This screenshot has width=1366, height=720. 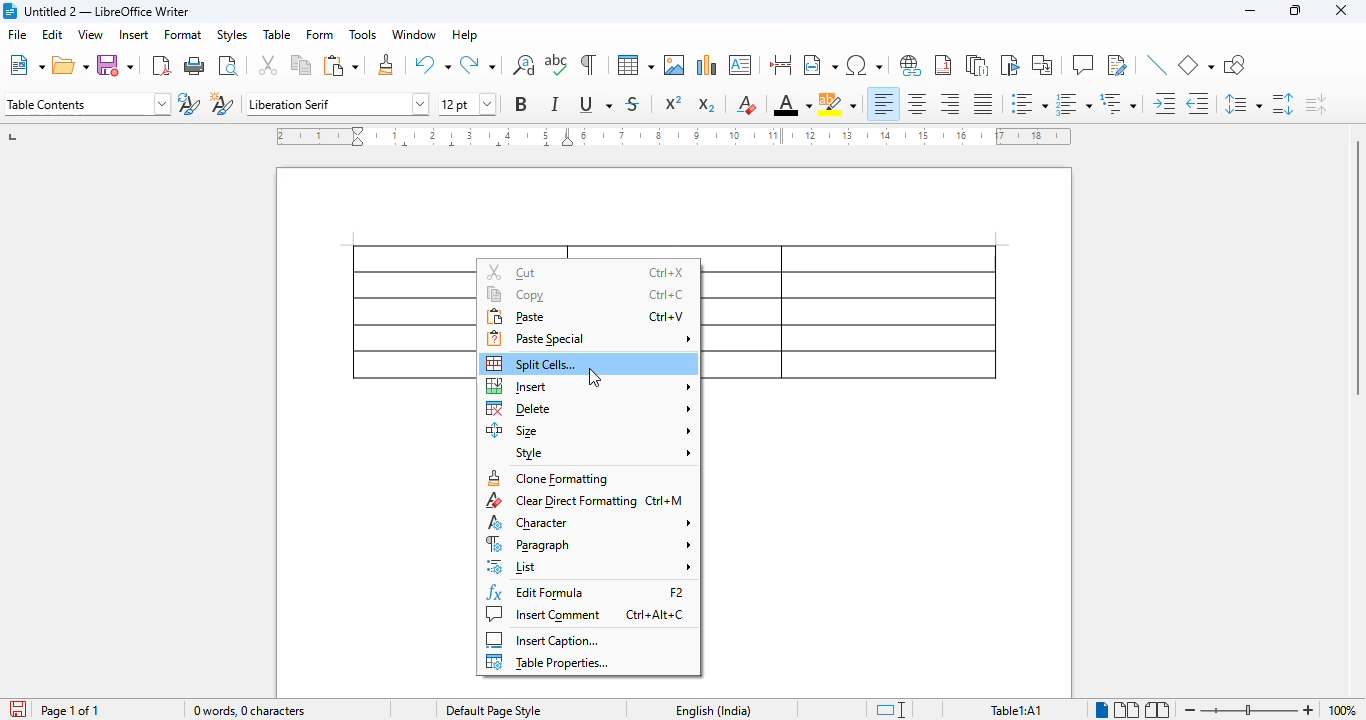 I want to click on English (India), so click(x=713, y=710).